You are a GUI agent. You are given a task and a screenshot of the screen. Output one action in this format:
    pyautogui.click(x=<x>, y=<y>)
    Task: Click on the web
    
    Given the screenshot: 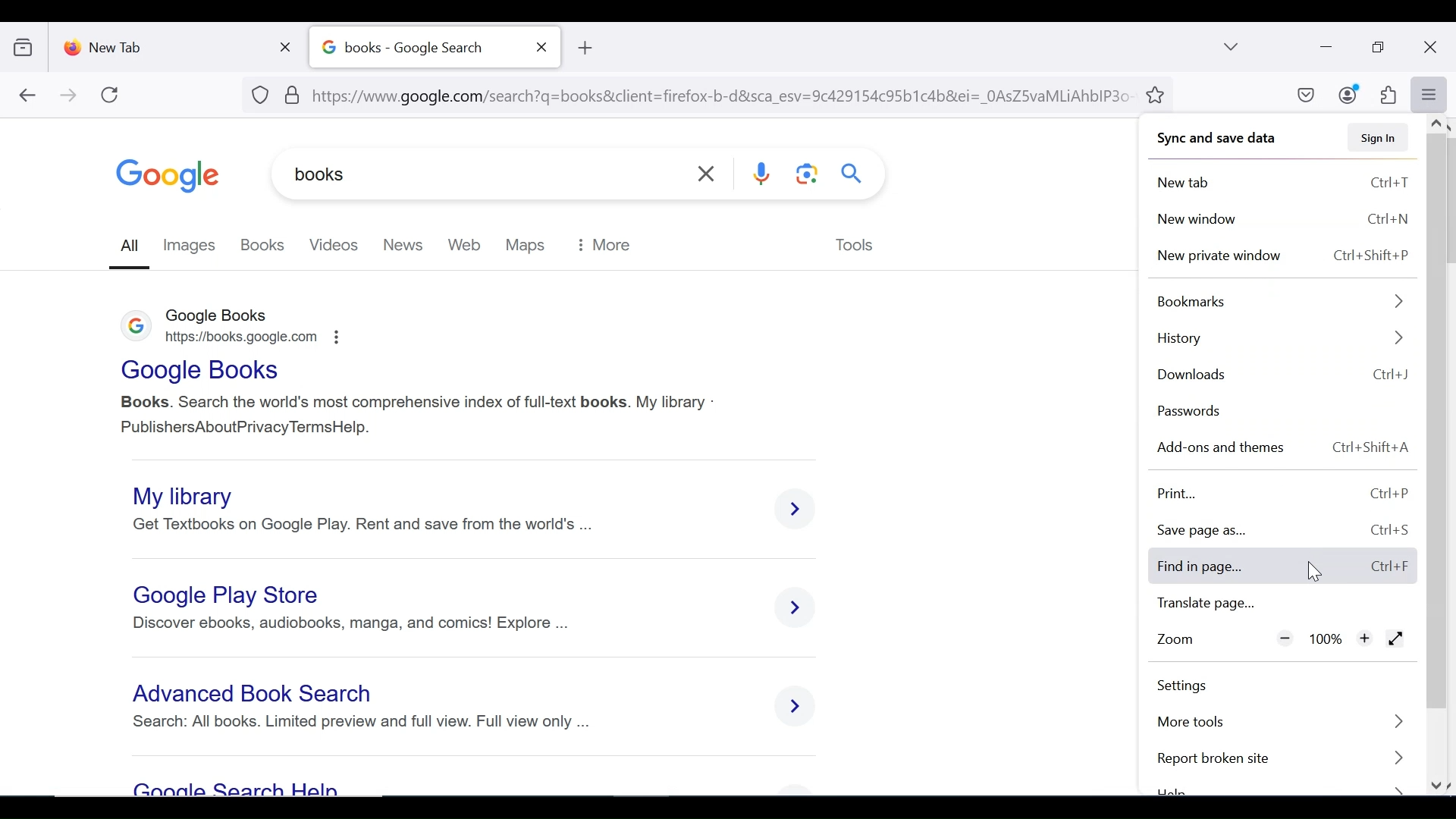 What is the action you would take?
    pyautogui.click(x=466, y=244)
    